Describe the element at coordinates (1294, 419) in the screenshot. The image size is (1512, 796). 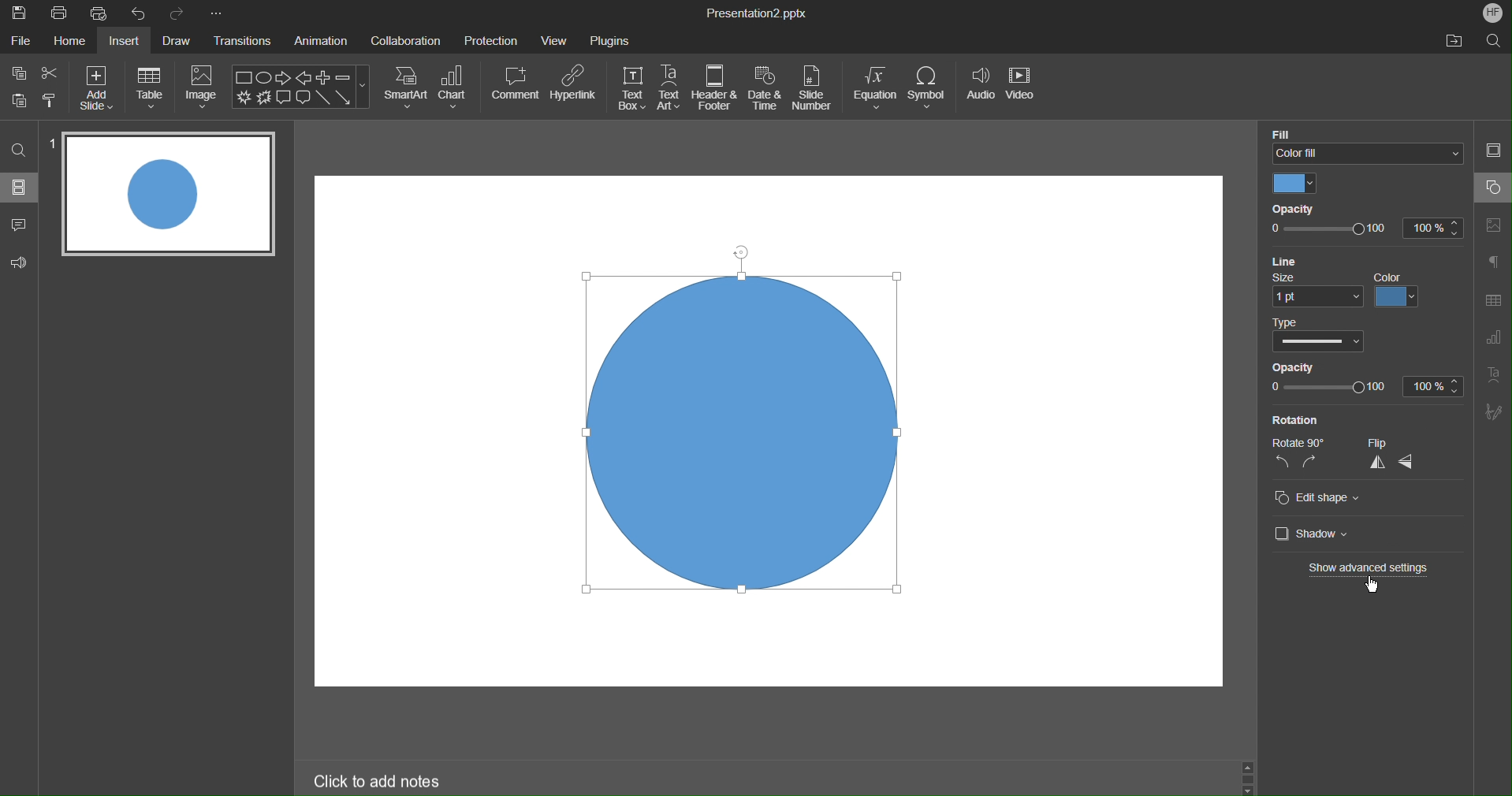
I see `Rotation` at that location.